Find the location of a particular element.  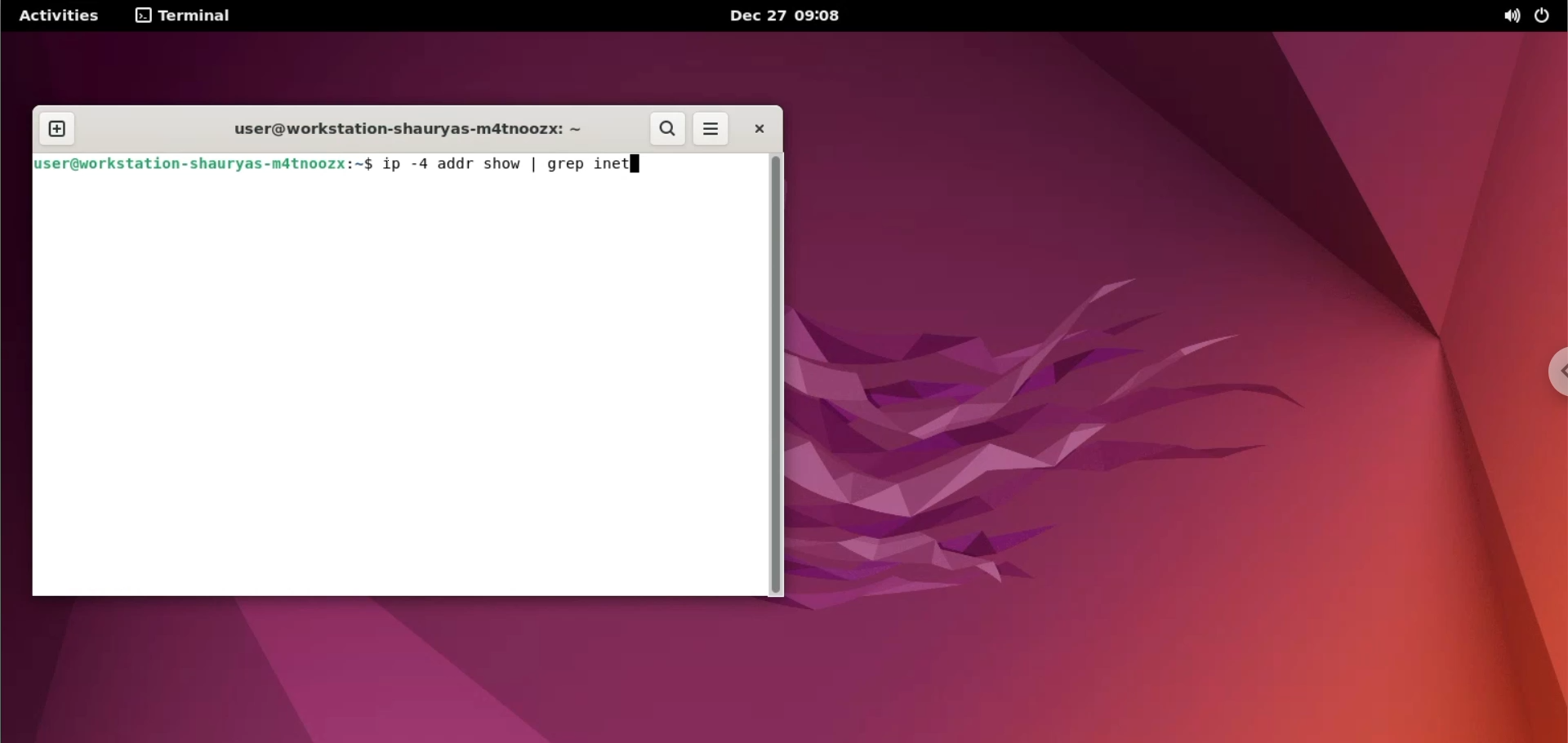

search  is located at coordinates (667, 128).